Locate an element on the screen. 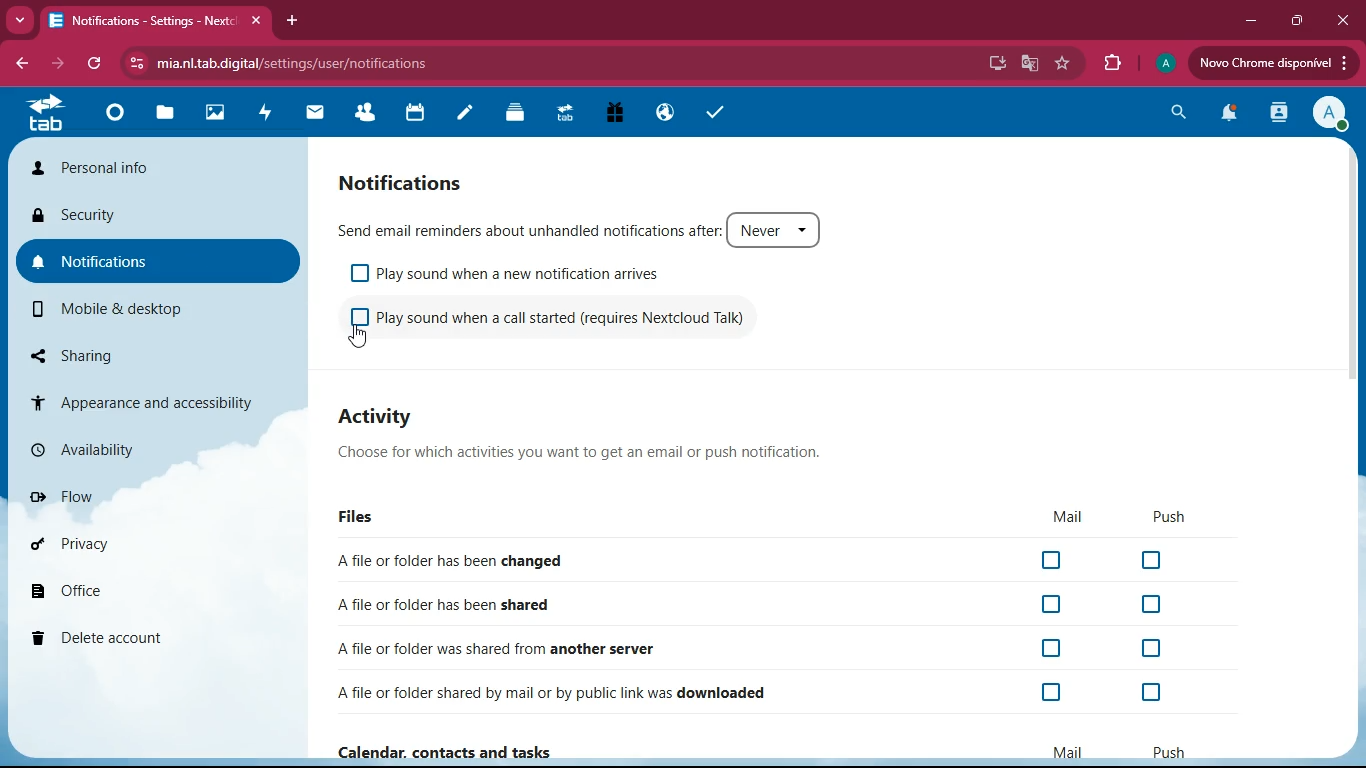 This screenshot has width=1366, height=768. maximize is located at coordinates (1299, 22).